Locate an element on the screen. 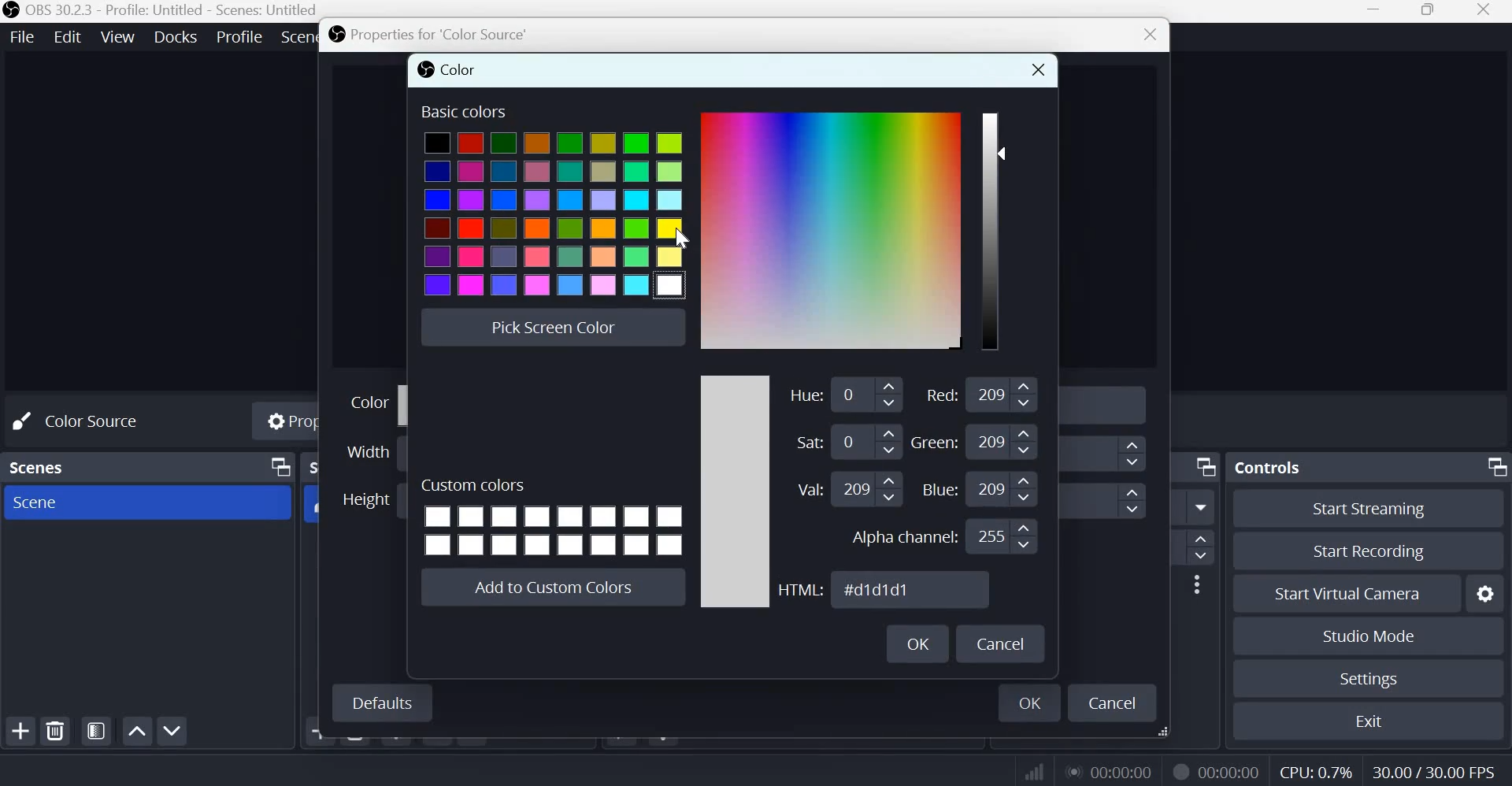  Color is located at coordinates (361, 404).